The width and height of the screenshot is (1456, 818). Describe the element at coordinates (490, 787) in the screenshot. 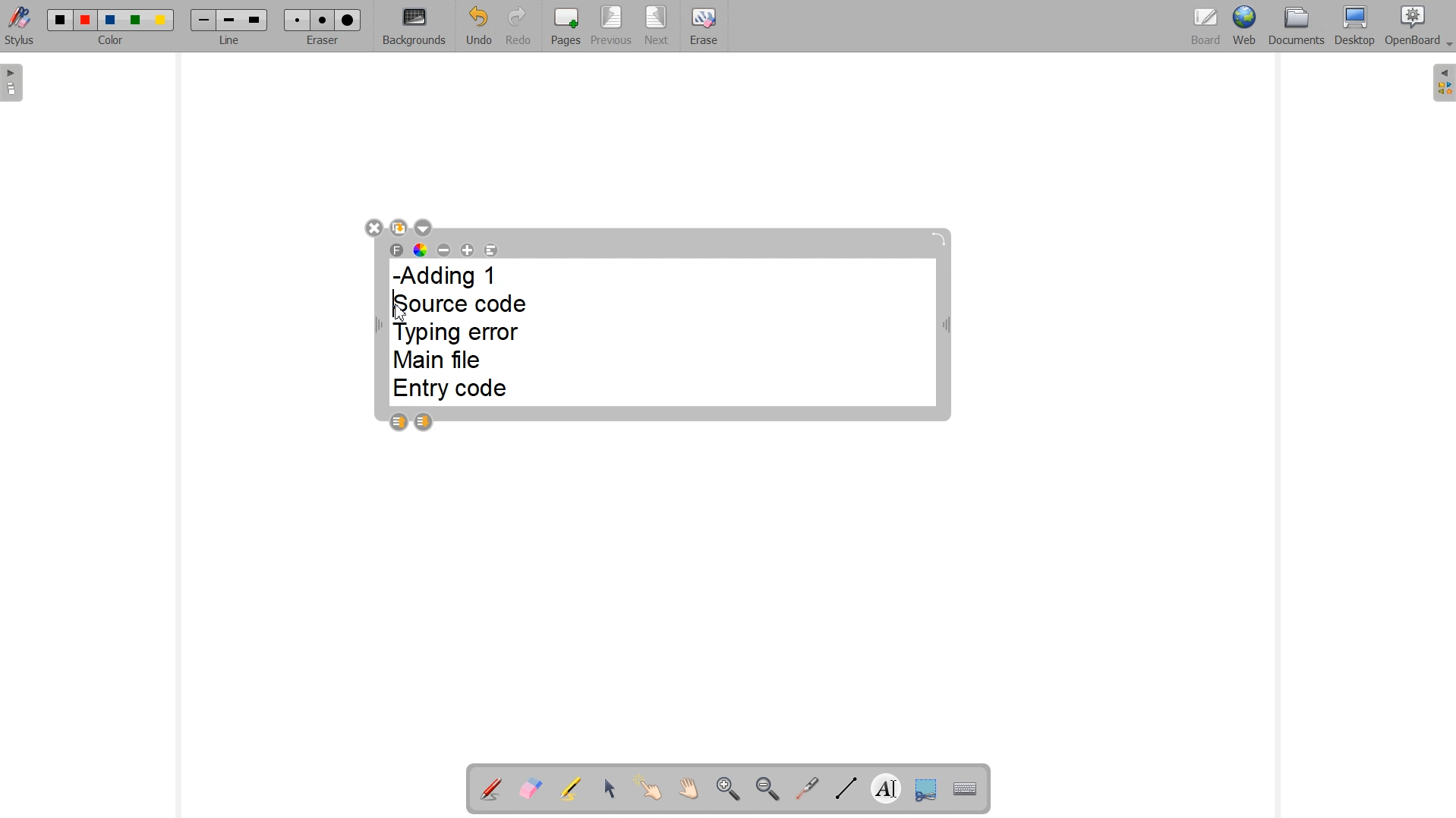

I see `Annotation document` at that location.